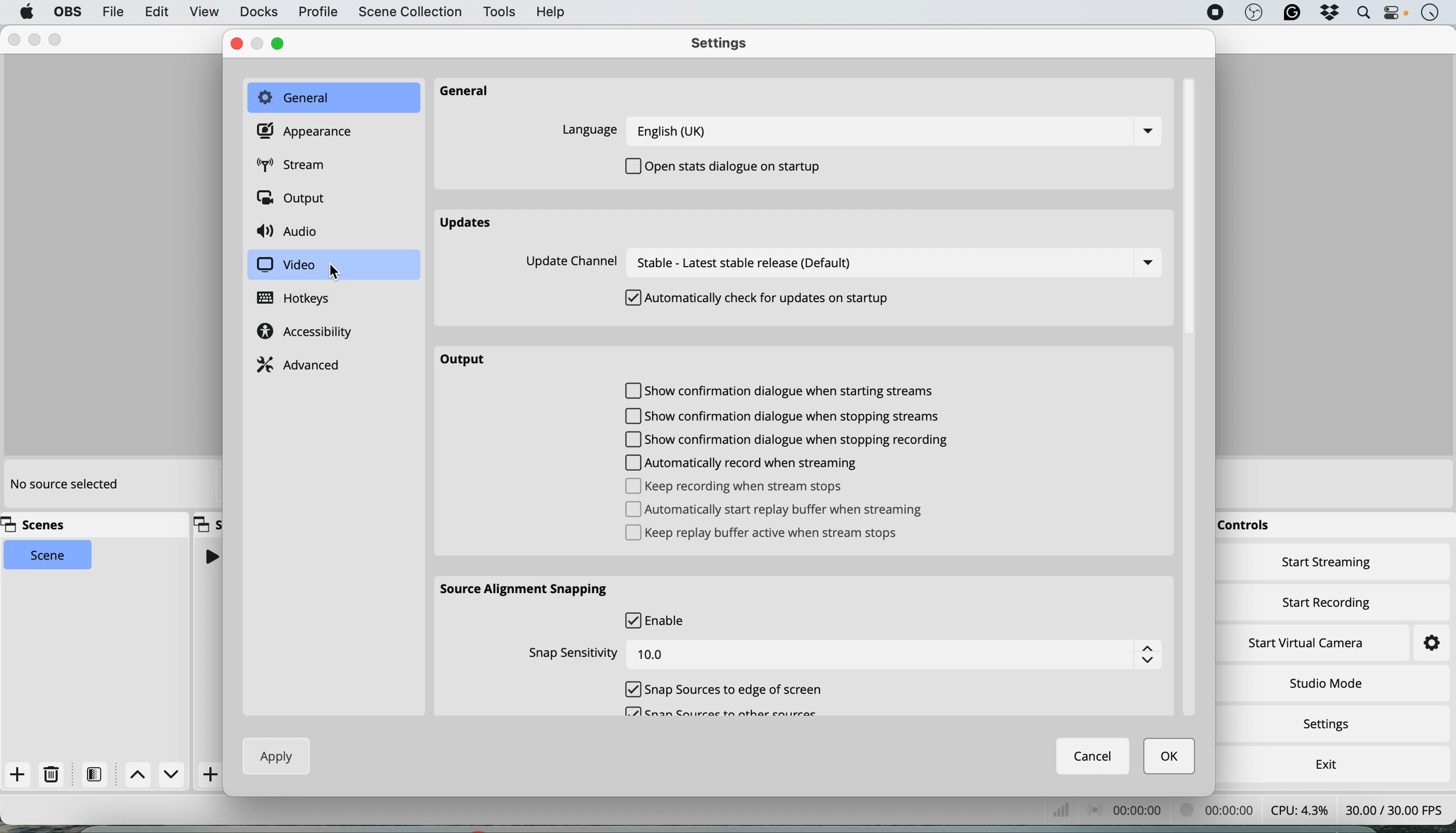 This screenshot has width=1456, height=833. I want to click on output, so click(470, 359).